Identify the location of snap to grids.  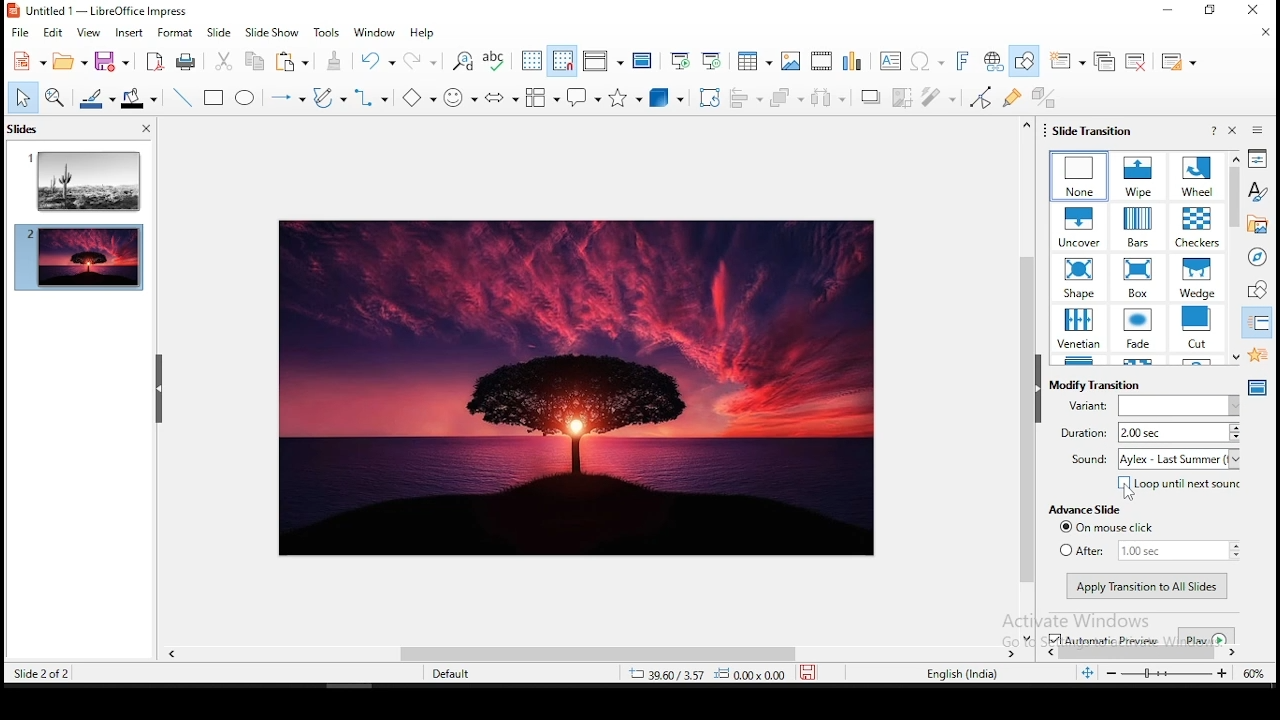
(563, 62).